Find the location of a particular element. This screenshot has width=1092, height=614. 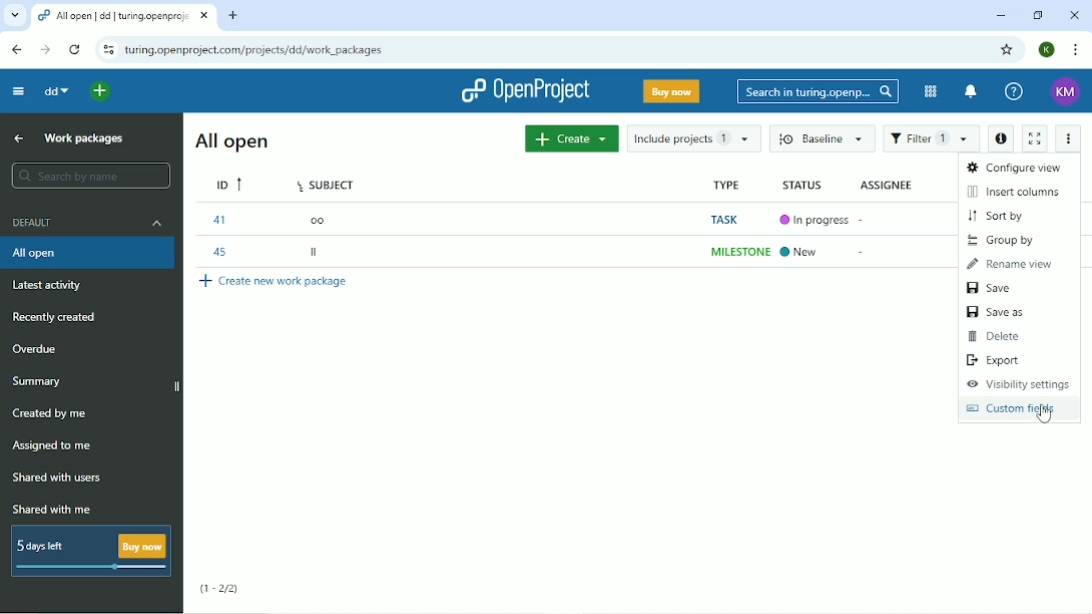

Restore down is located at coordinates (1041, 16).